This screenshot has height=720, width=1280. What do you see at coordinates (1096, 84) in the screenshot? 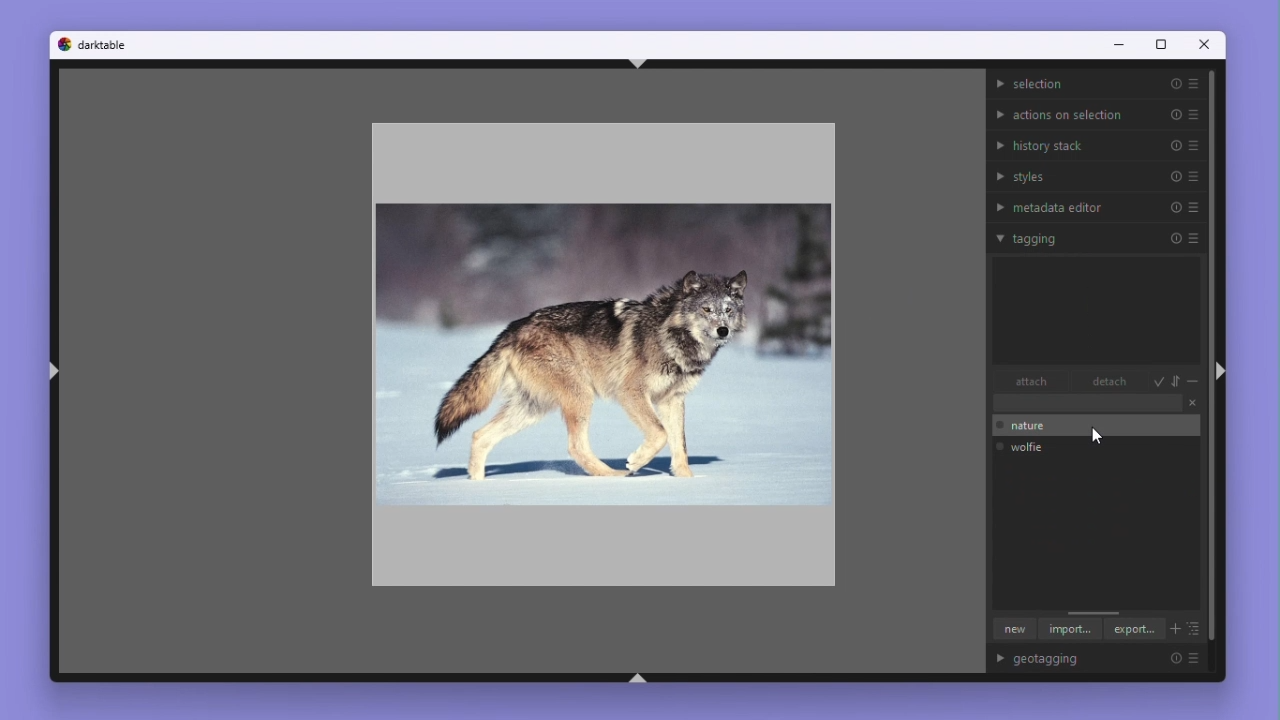
I see `Selection` at bounding box center [1096, 84].